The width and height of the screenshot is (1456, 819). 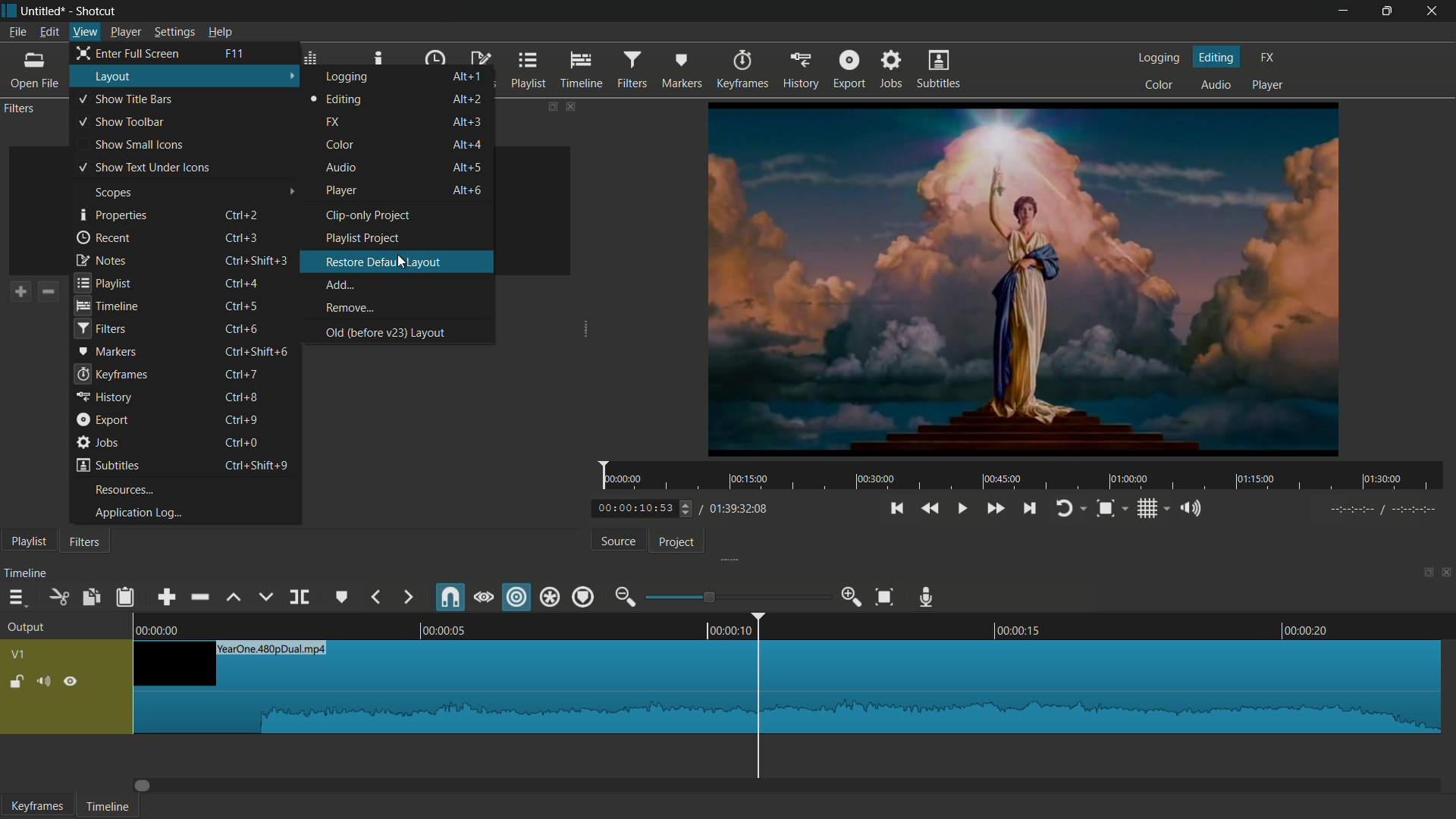 What do you see at coordinates (1217, 56) in the screenshot?
I see `editing` at bounding box center [1217, 56].